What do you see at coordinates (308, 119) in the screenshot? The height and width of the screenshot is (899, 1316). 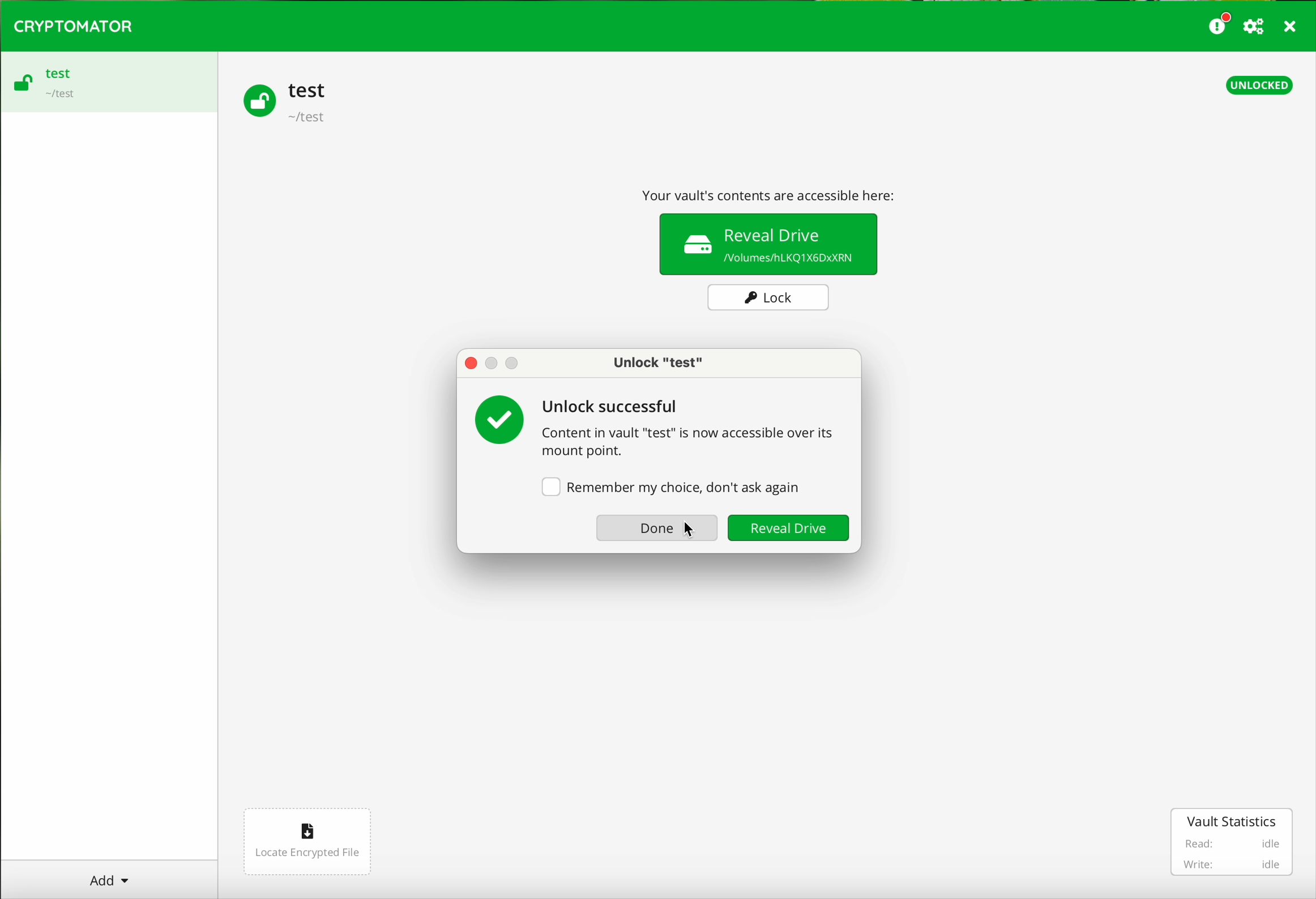 I see `~/test` at bounding box center [308, 119].